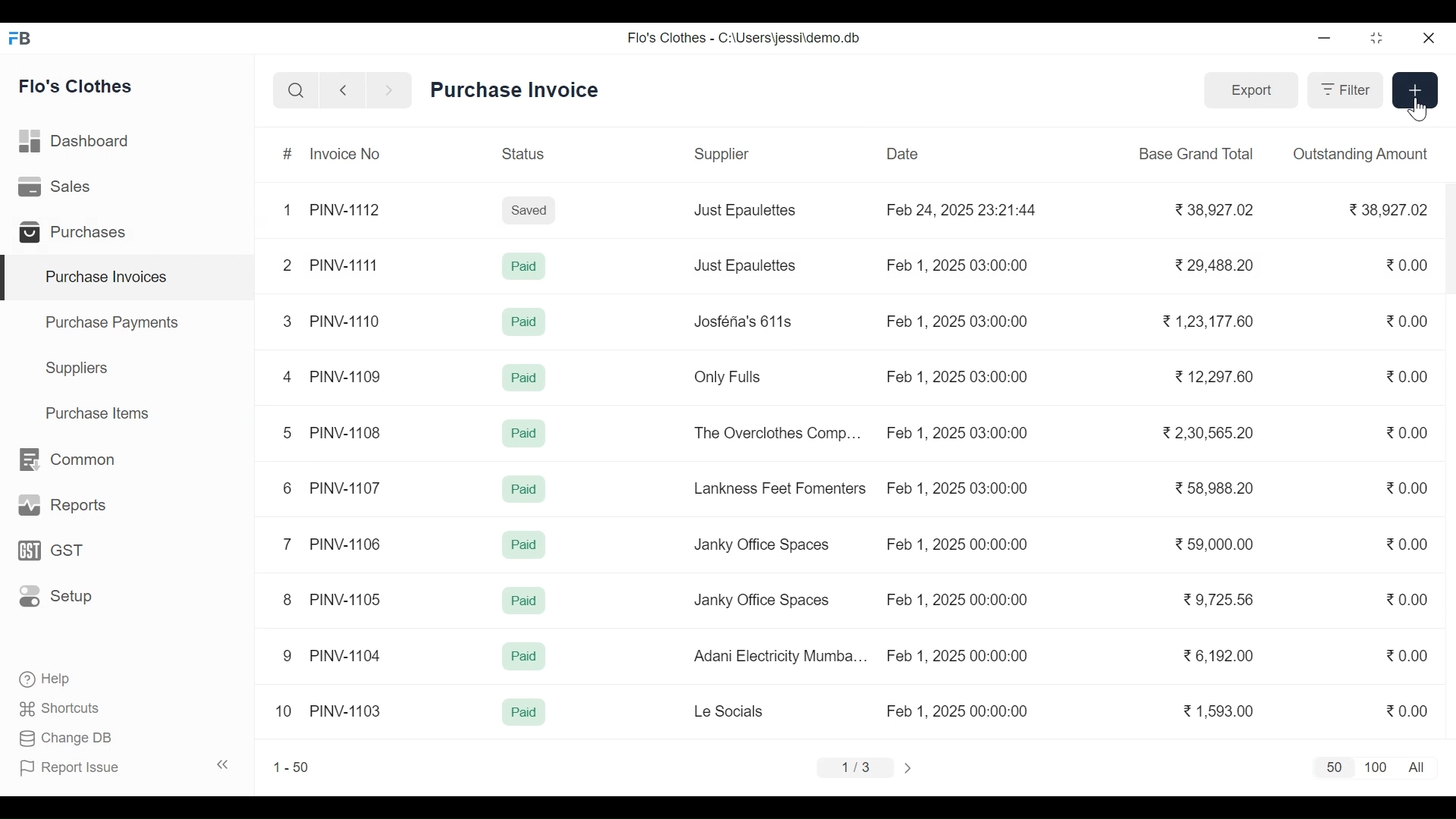 This screenshot has height=819, width=1456. What do you see at coordinates (388, 91) in the screenshot?
I see `Navigate forward` at bounding box center [388, 91].